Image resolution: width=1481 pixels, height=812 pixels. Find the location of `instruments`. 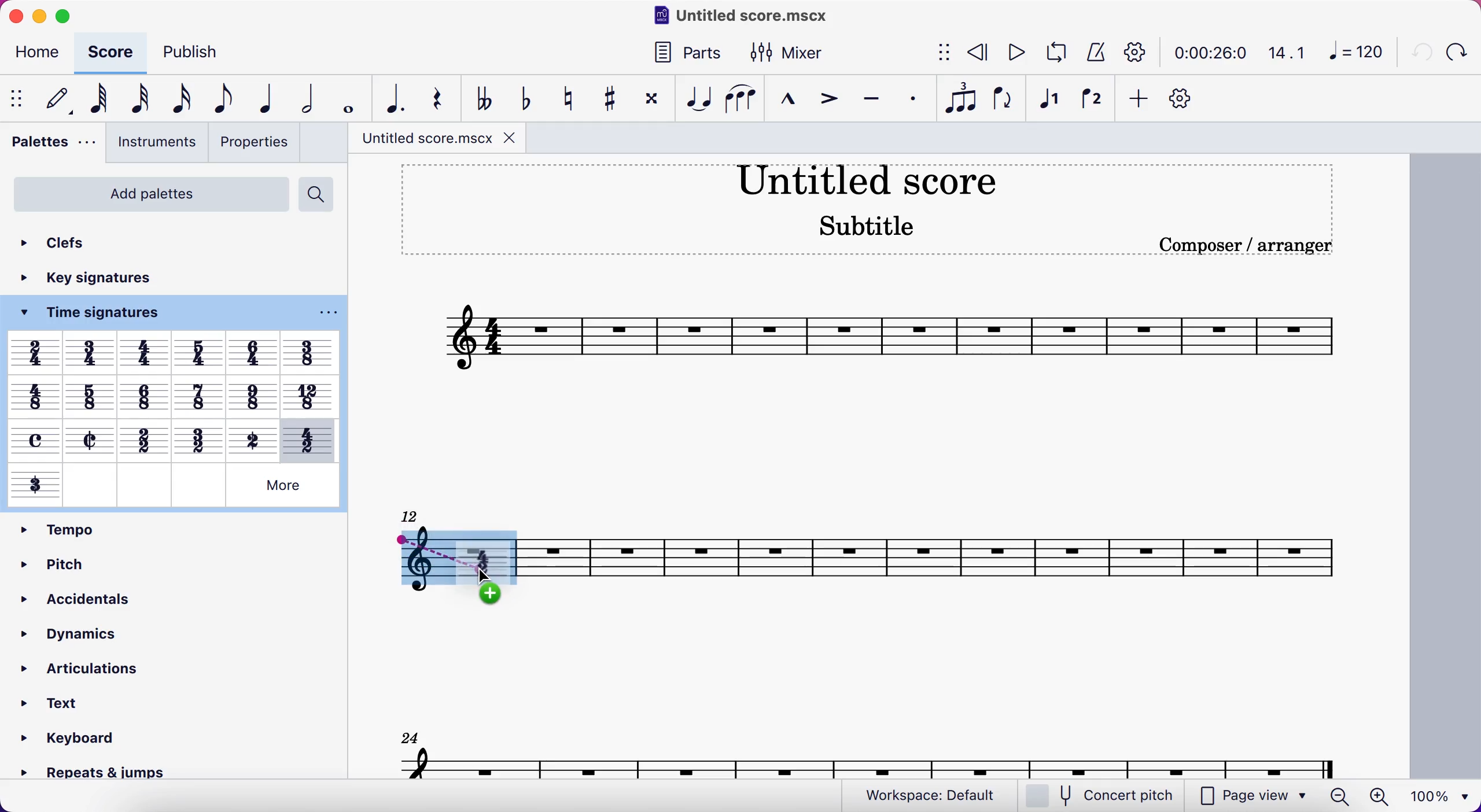

instruments is located at coordinates (156, 145).